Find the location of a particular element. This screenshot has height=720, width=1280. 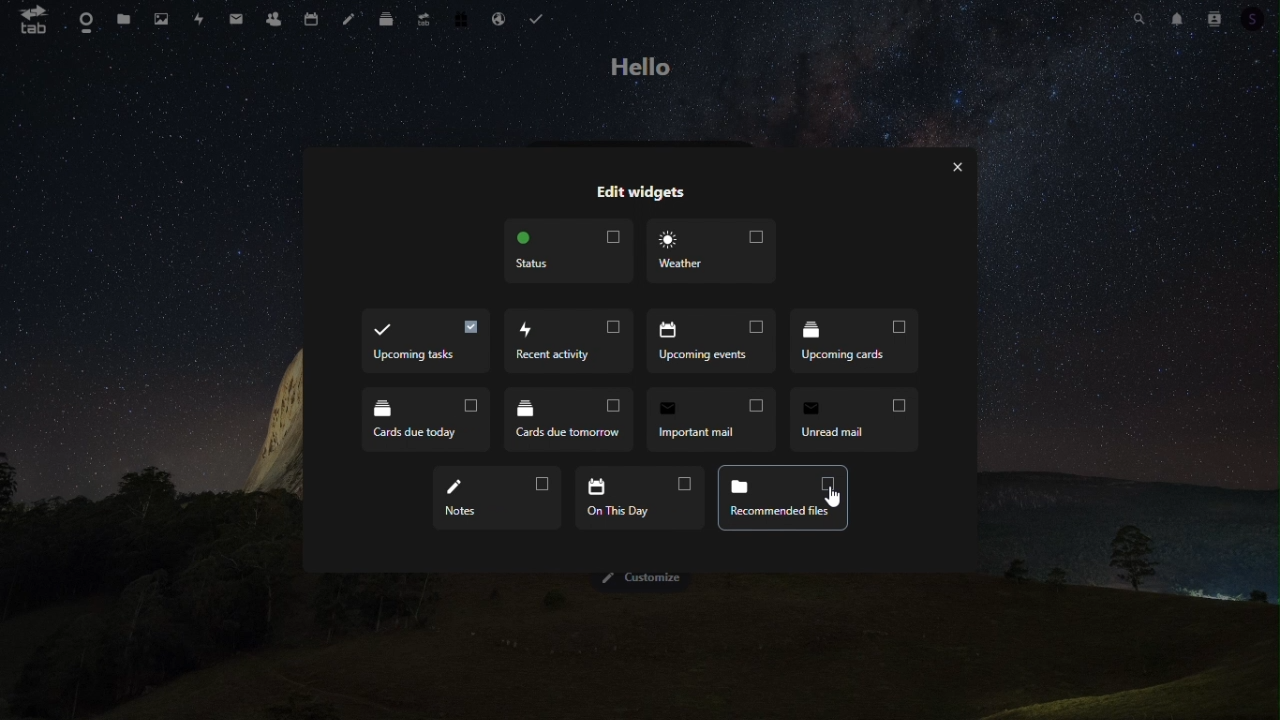

cards due today is located at coordinates (854, 343).